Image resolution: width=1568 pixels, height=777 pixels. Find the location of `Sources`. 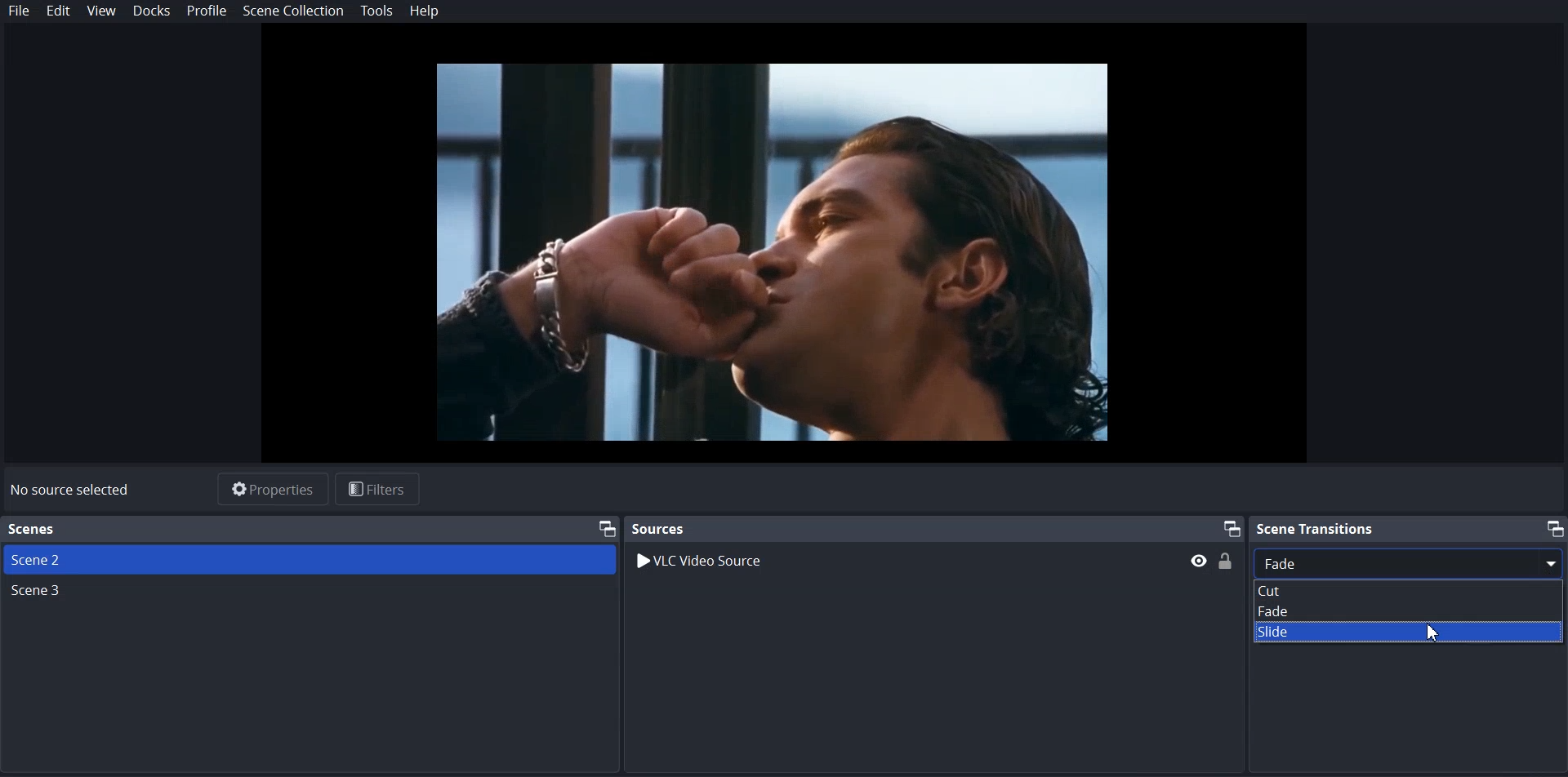

Sources is located at coordinates (933, 528).